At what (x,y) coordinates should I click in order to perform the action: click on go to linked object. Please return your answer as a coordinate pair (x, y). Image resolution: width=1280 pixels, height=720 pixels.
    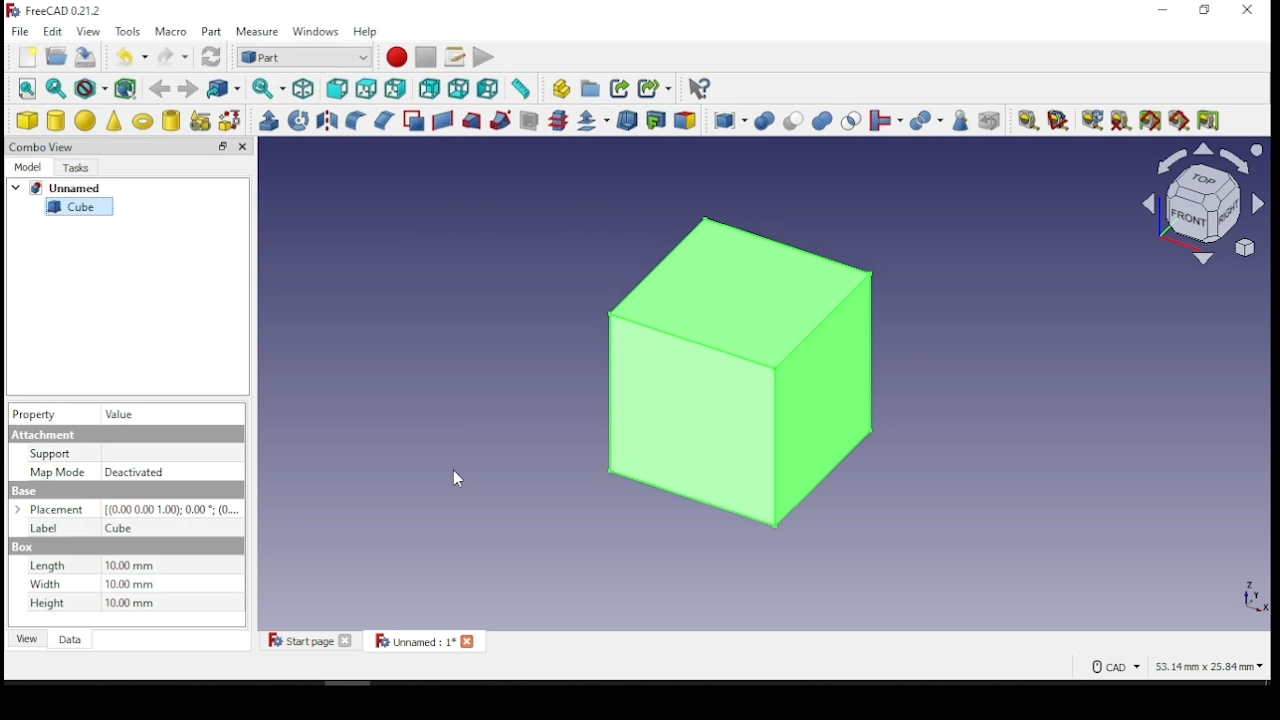
    Looking at the image, I should click on (222, 88).